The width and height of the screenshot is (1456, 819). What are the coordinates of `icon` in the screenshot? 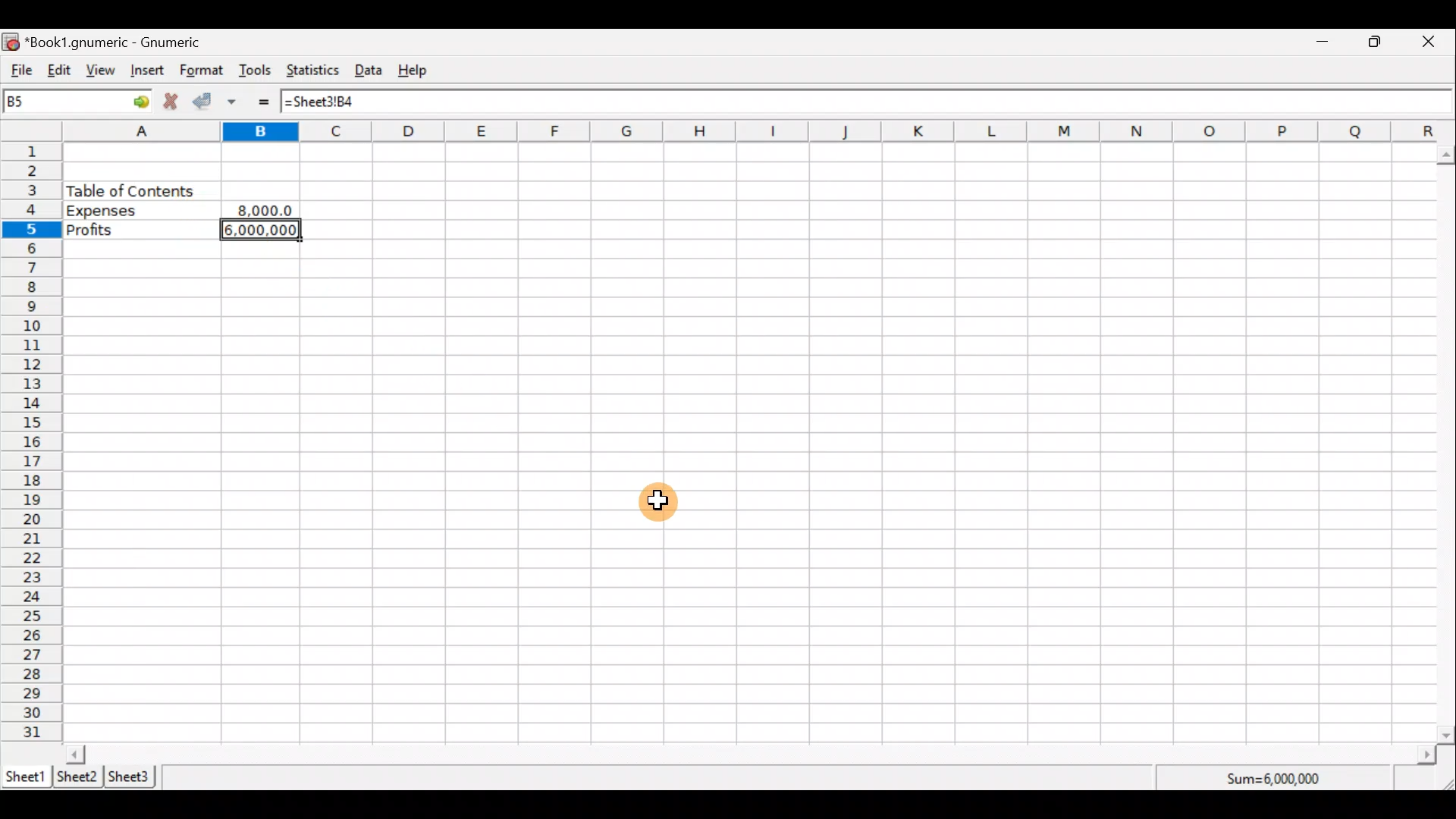 It's located at (12, 42).